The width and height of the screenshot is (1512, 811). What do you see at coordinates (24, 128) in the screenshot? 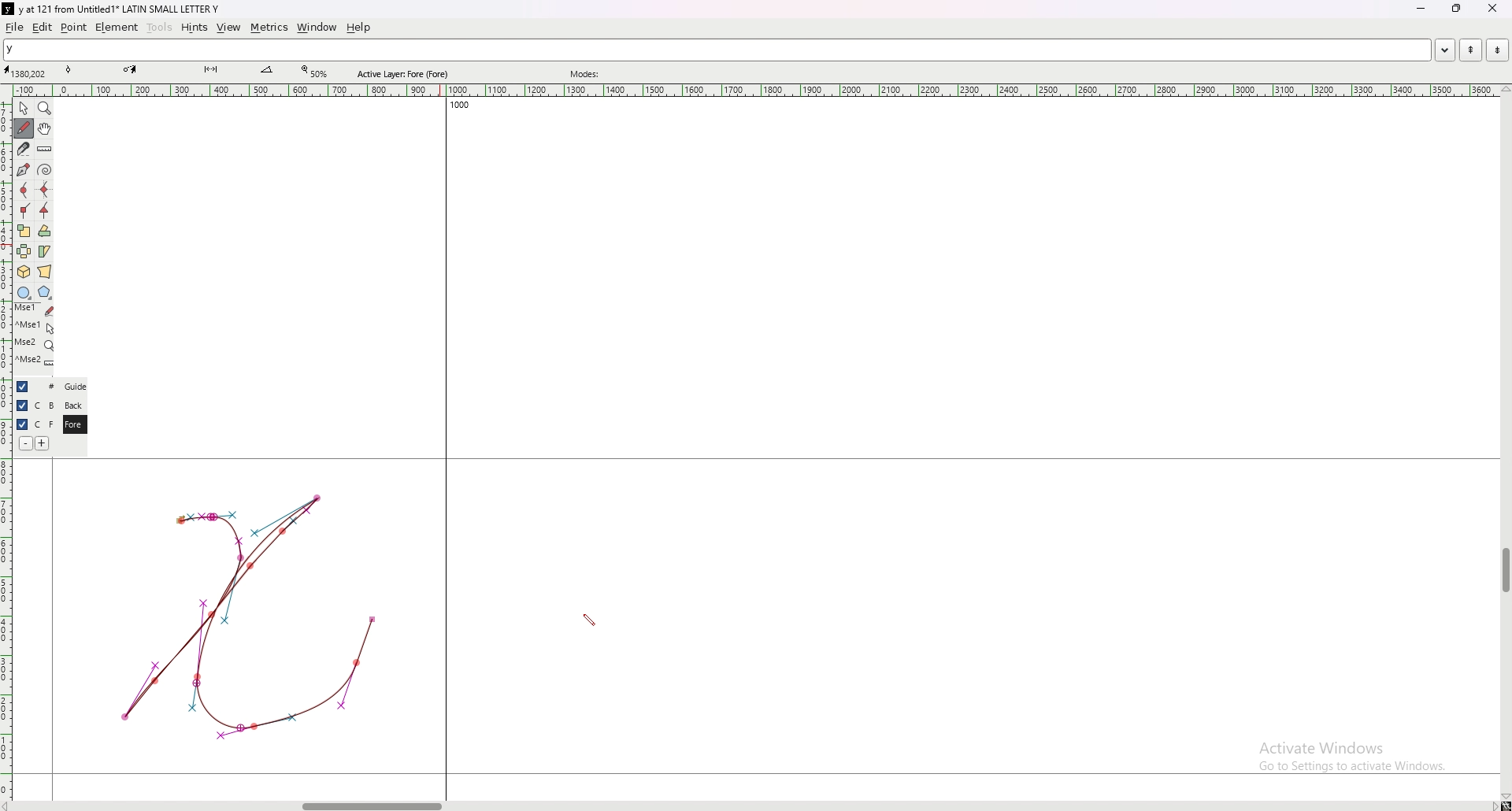
I see `draw freehand` at bounding box center [24, 128].